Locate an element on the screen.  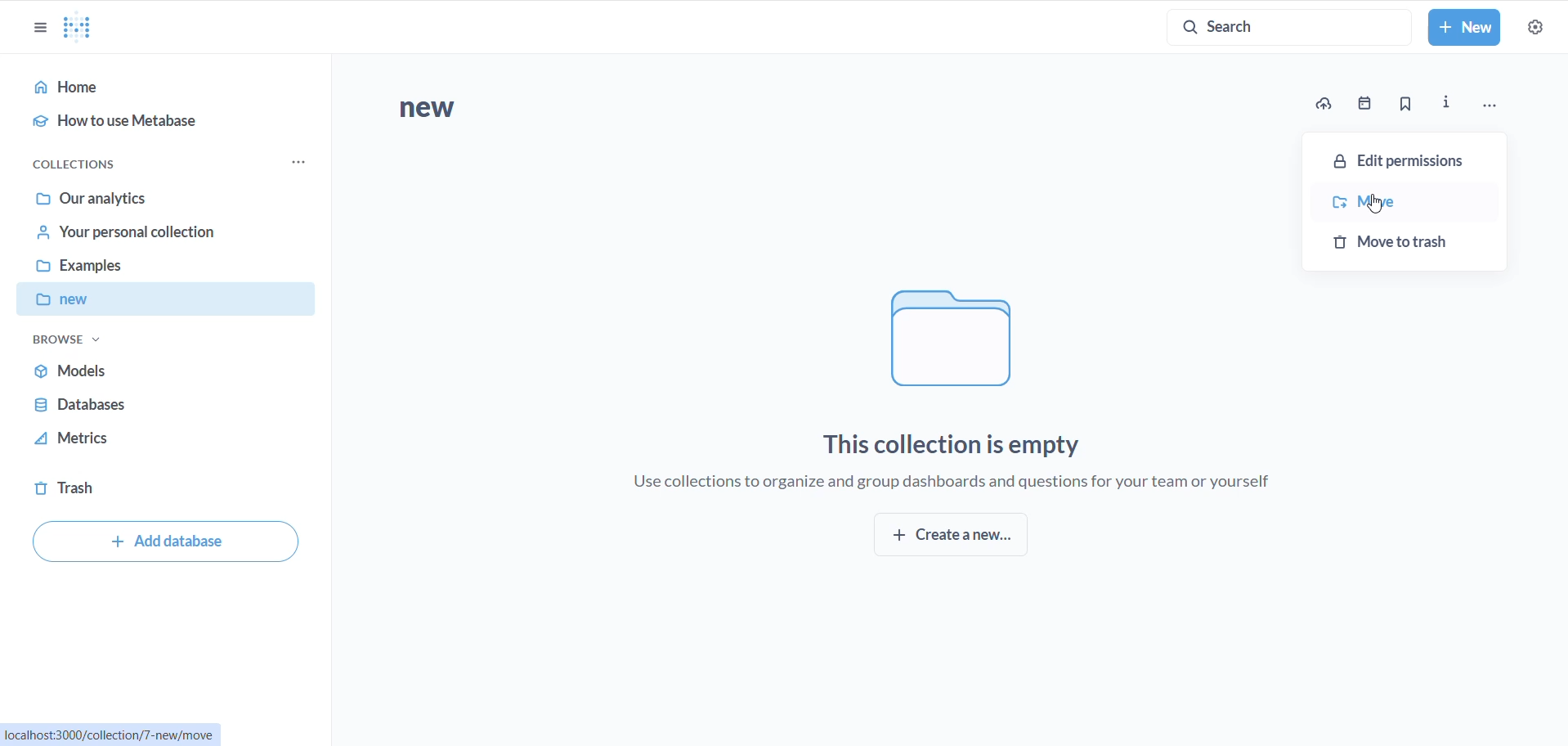
metrics is located at coordinates (121, 443).